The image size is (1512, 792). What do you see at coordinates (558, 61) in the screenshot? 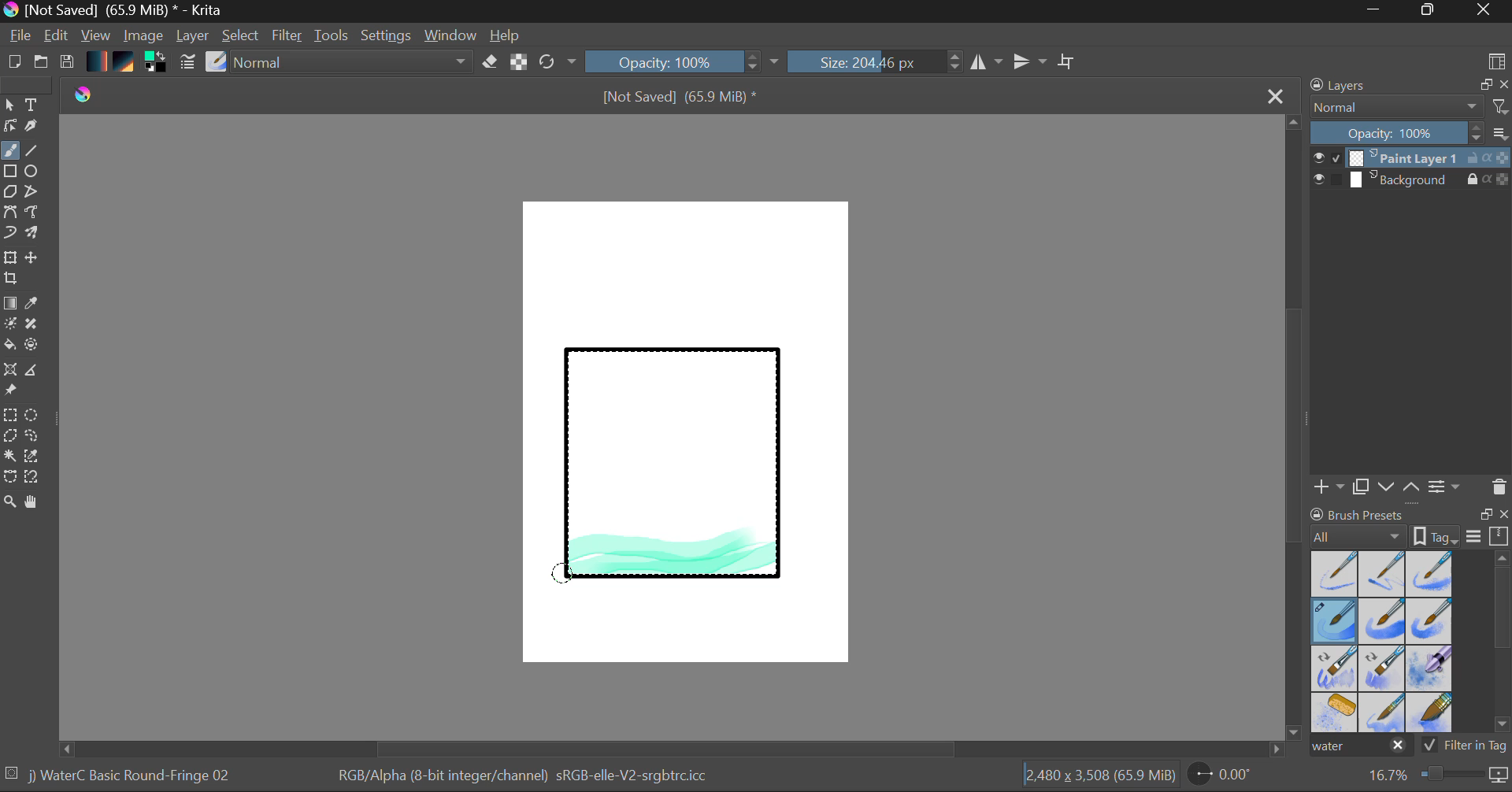
I see `Refresh` at bounding box center [558, 61].